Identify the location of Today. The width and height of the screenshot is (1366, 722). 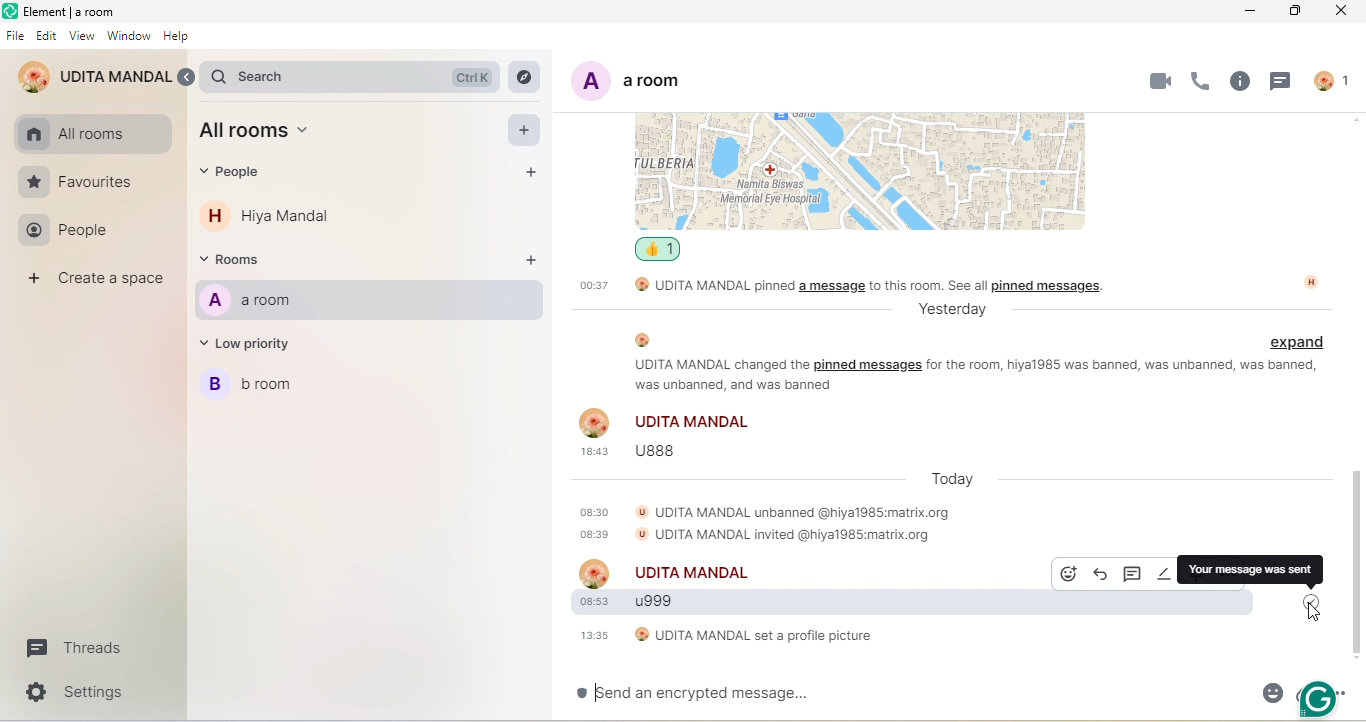
(954, 477).